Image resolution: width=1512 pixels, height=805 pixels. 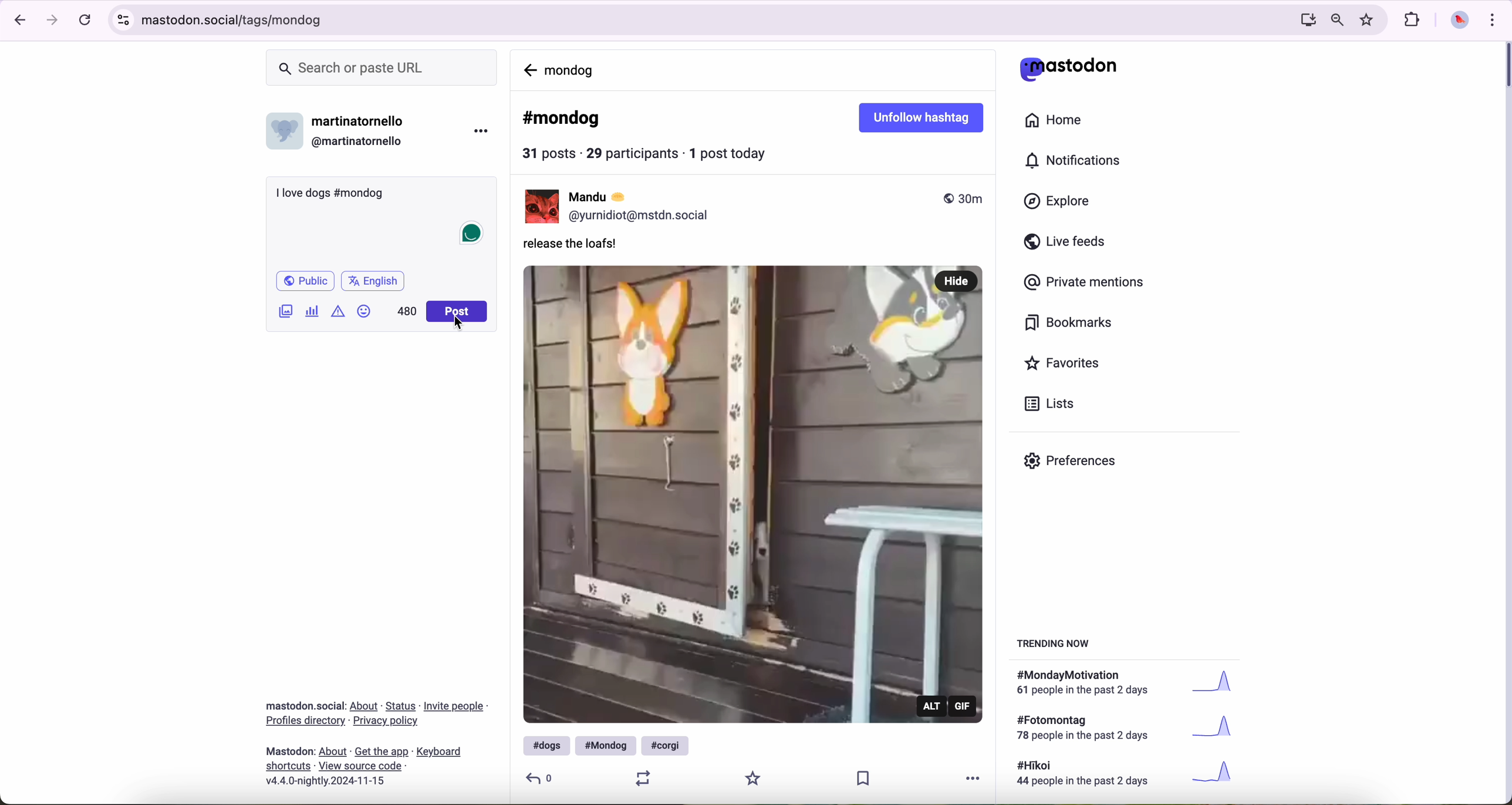 What do you see at coordinates (754, 777) in the screenshot?
I see `favorite` at bounding box center [754, 777].